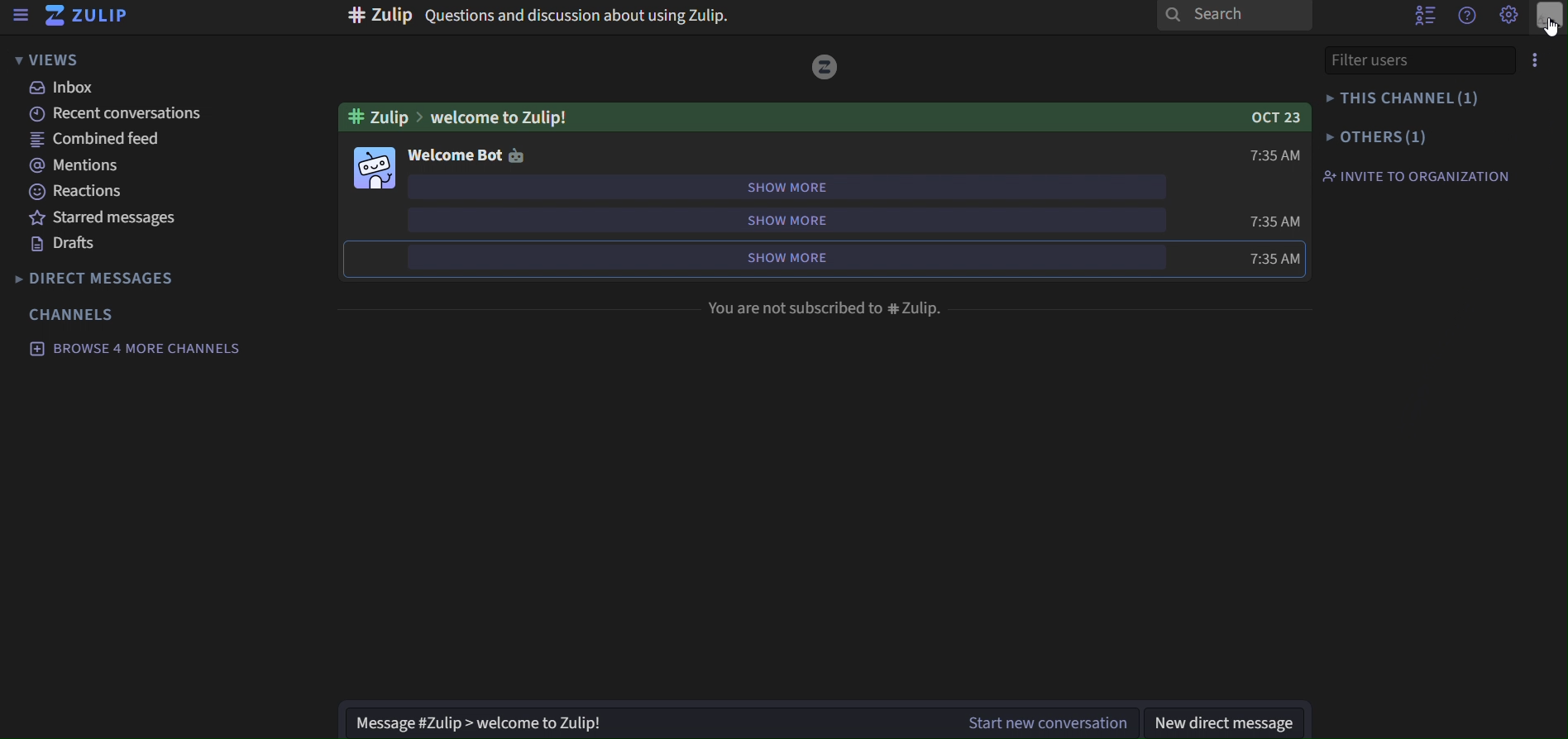 The height and width of the screenshot is (739, 1568). Describe the element at coordinates (1509, 16) in the screenshot. I see `Settings` at that location.